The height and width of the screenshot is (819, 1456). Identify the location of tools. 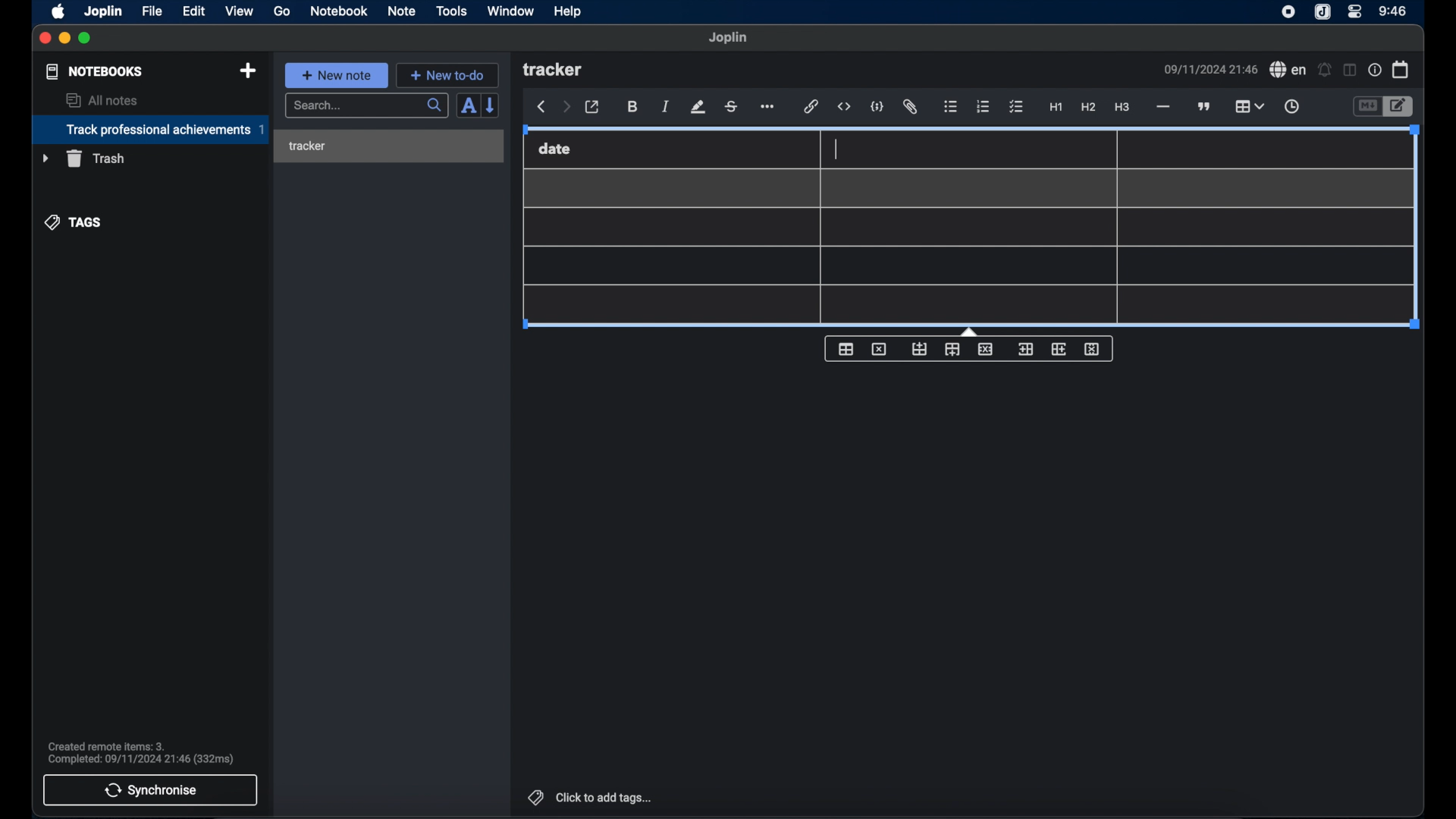
(452, 11).